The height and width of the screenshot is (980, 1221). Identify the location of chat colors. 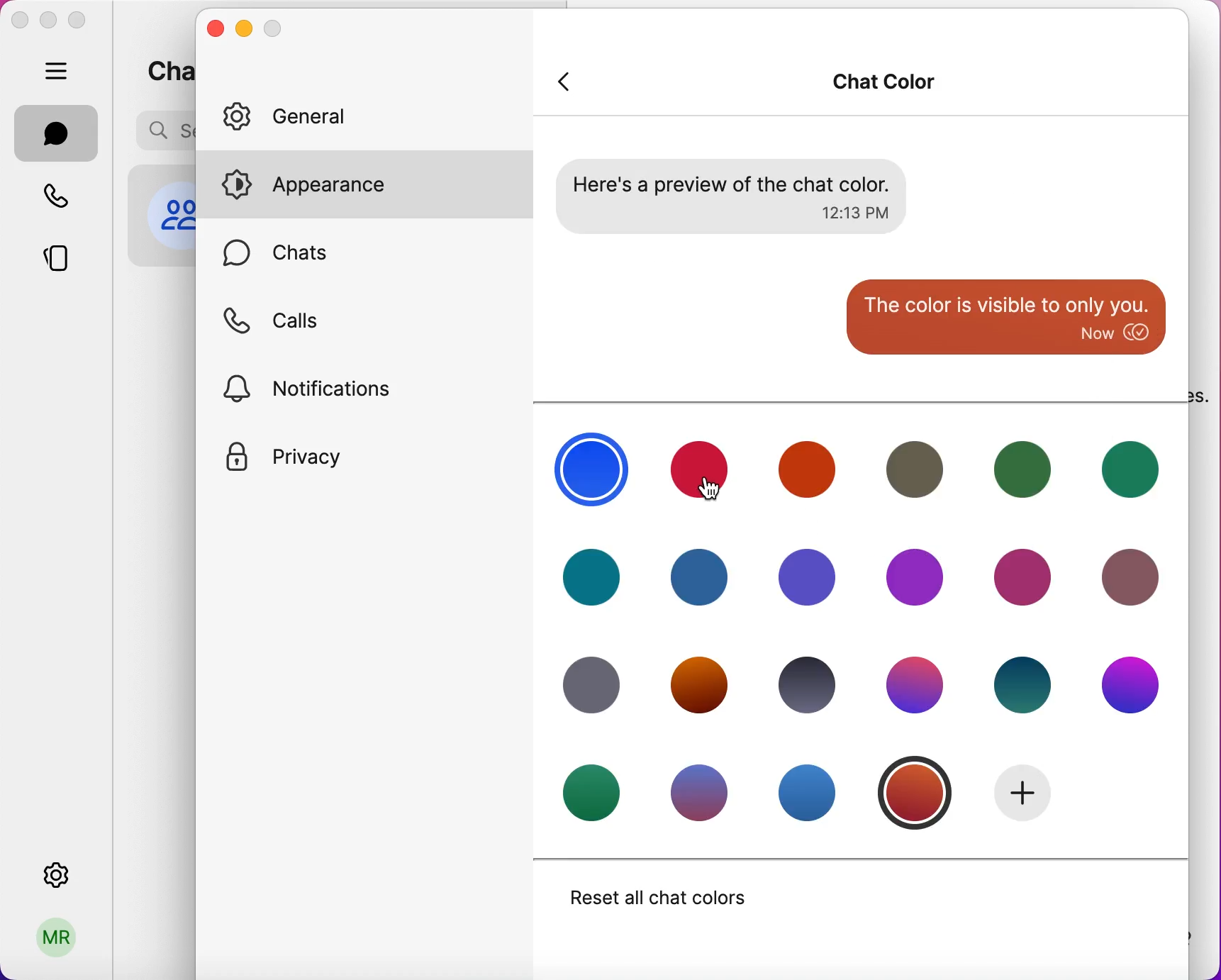
(858, 565).